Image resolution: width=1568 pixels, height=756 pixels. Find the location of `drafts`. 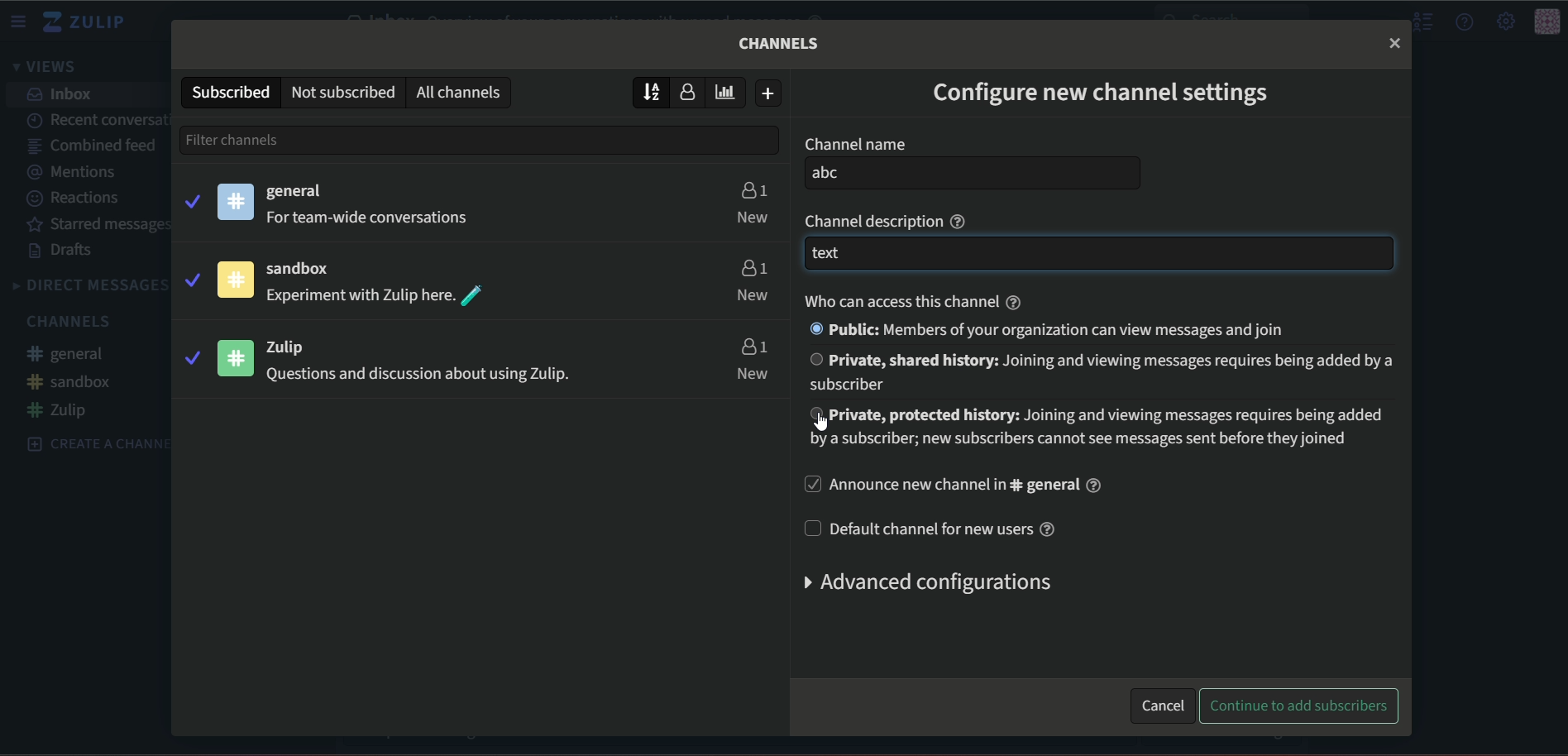

drafts is located at coordinates (64, 251).